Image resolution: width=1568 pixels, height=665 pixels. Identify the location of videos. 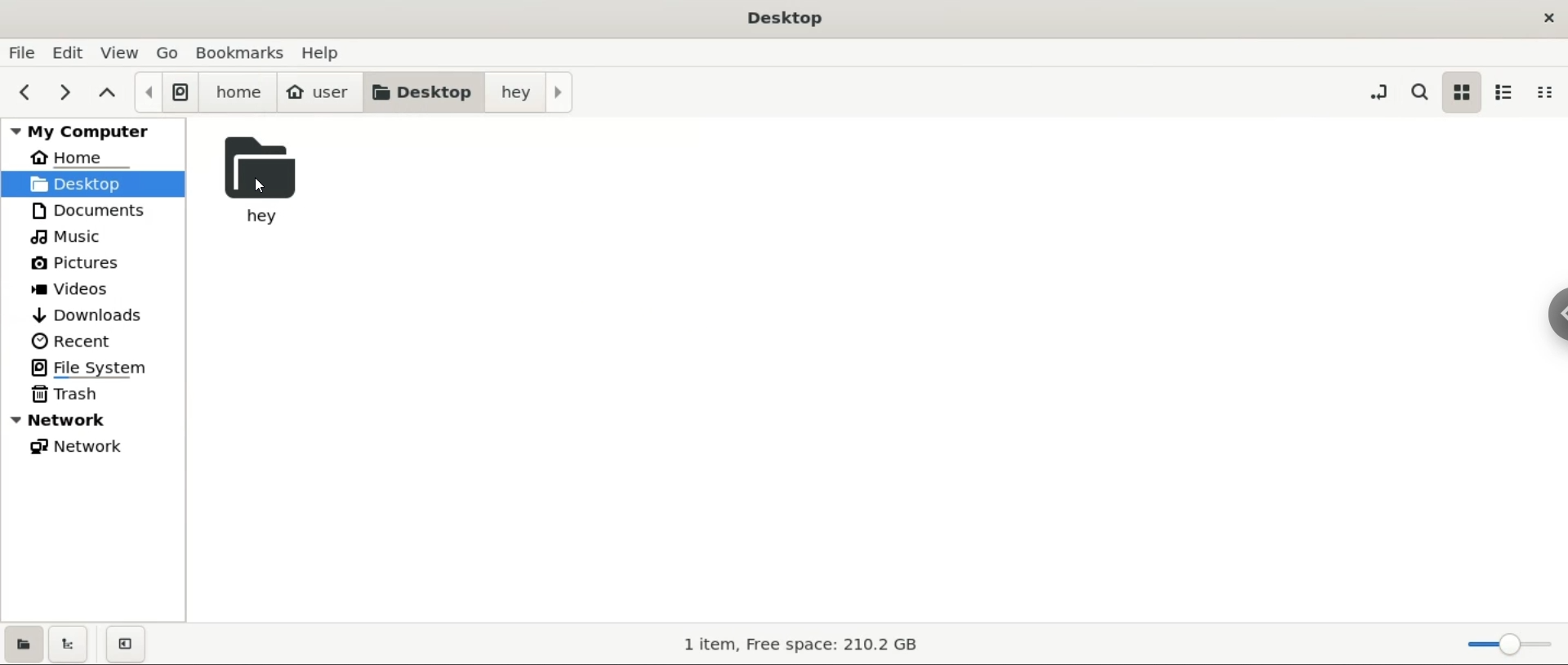
(93, 289).